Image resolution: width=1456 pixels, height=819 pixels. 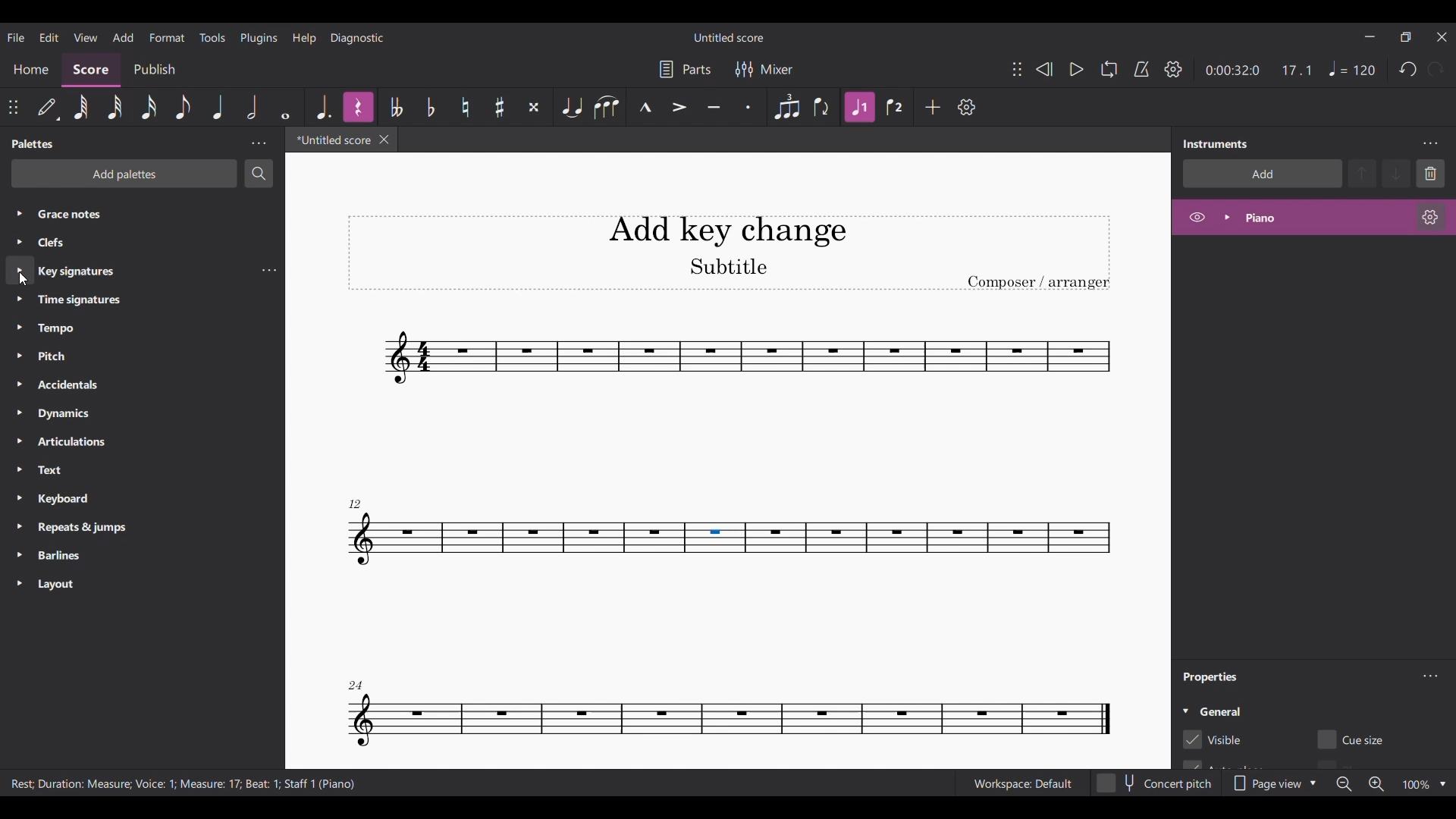 I want to click on Staccato, so click(x=749, y=107).